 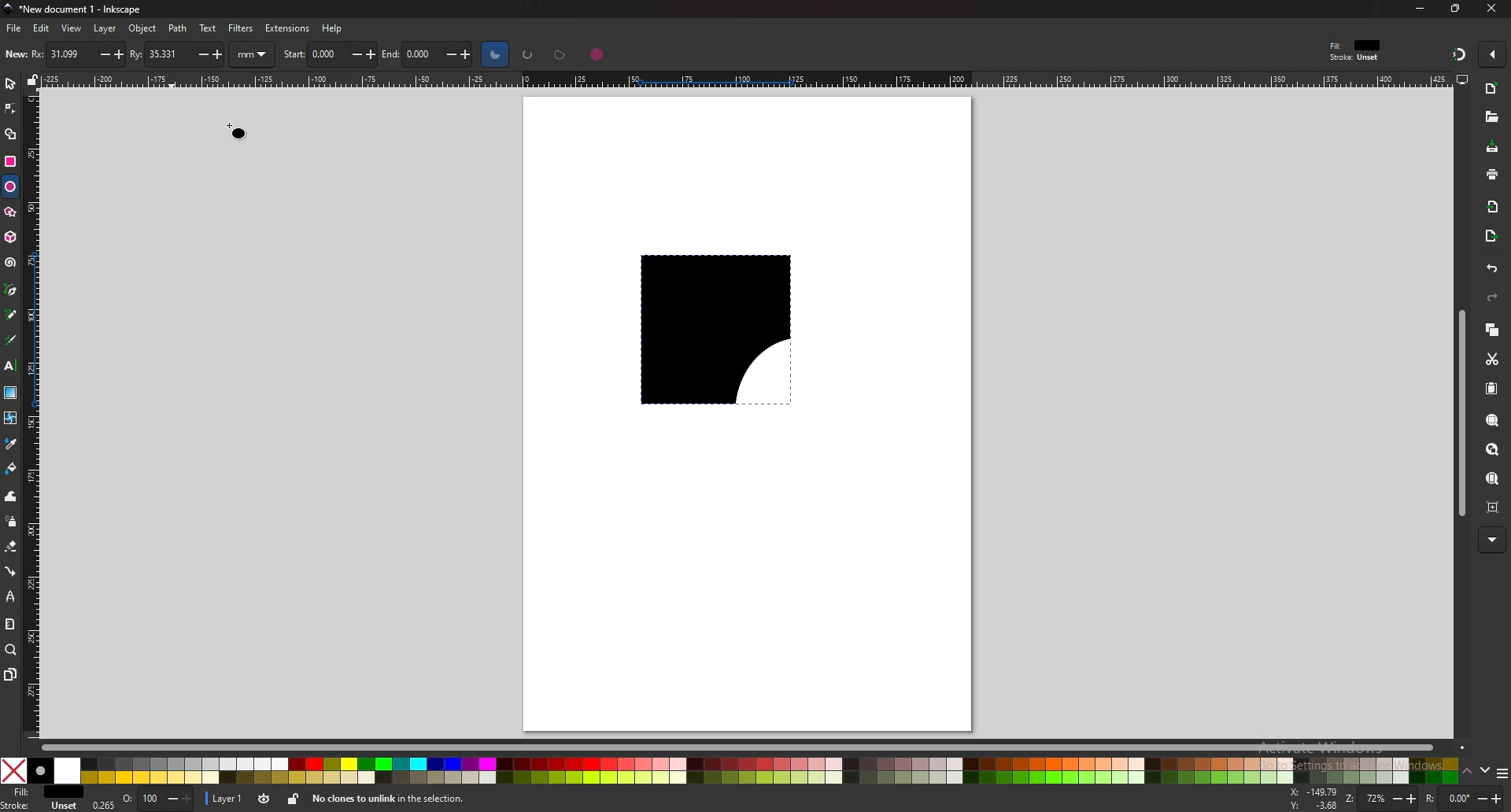 What do you see at coordinates (208, 28) in the screenshot?
I see `text` at bounding box center [208, 28].